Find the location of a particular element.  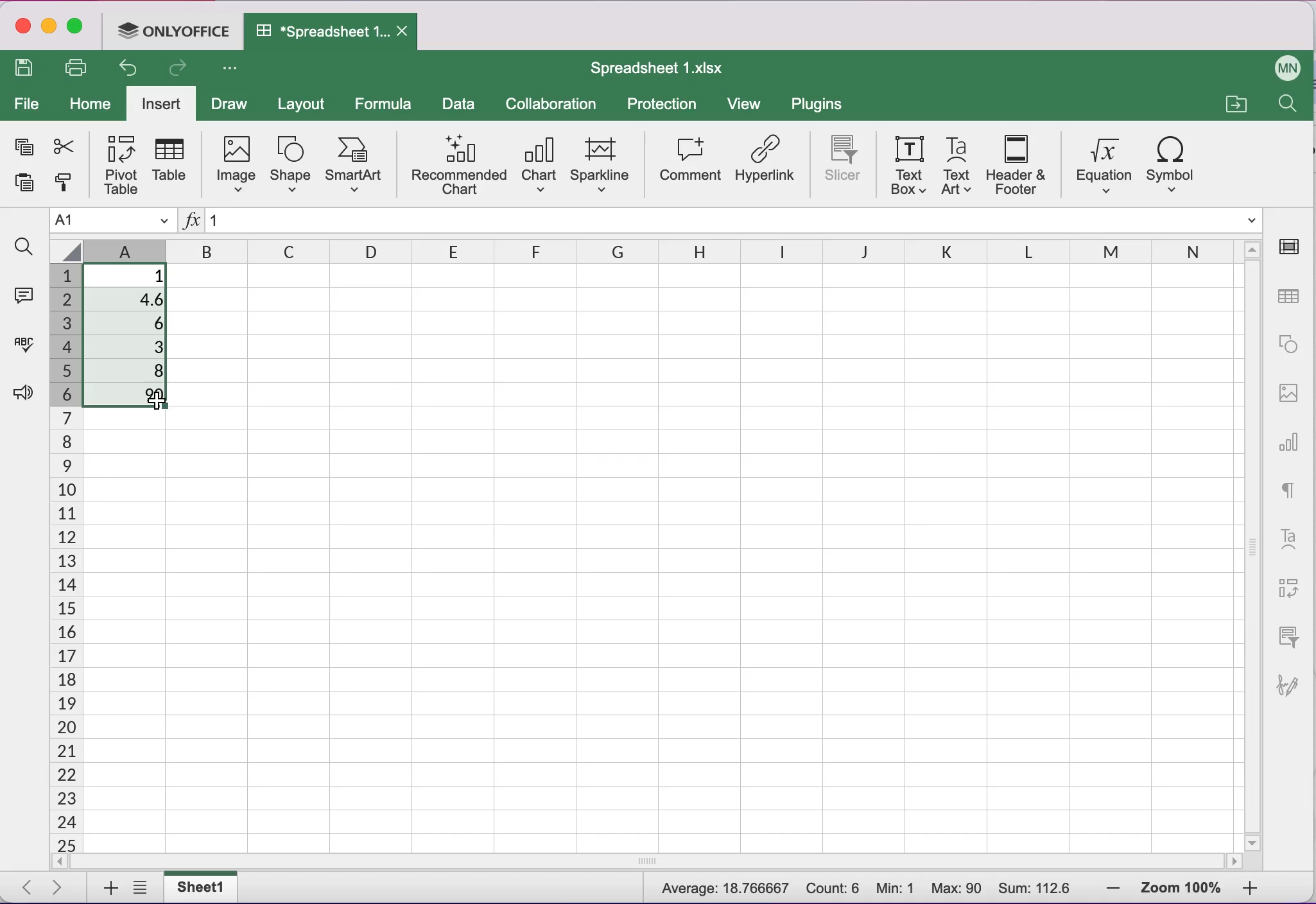

insert is located at coordinates (160, 103).